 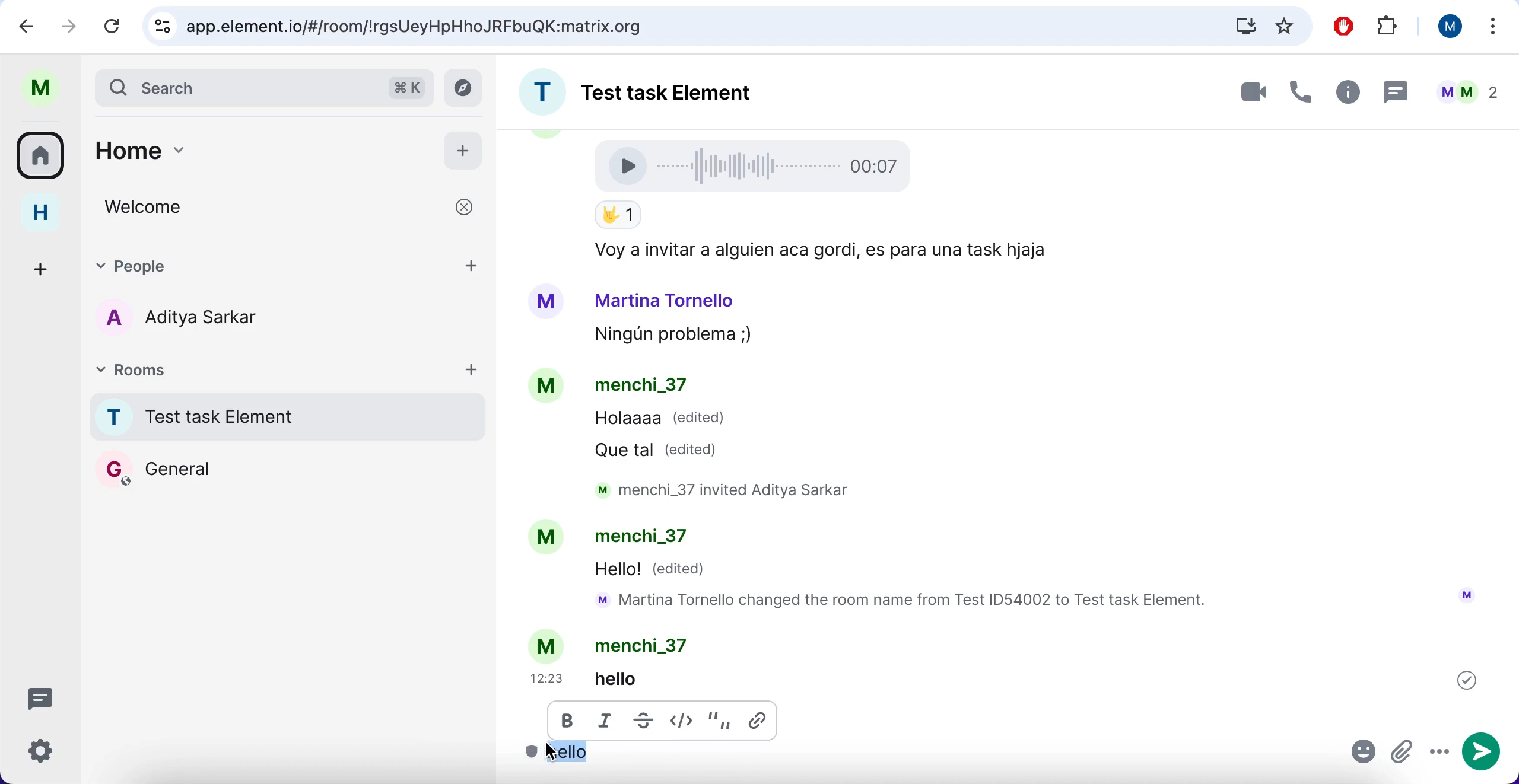 What do you see at coordinates (49, 213) in the screenshot?
I see `home` at bounding box center [49, 213].